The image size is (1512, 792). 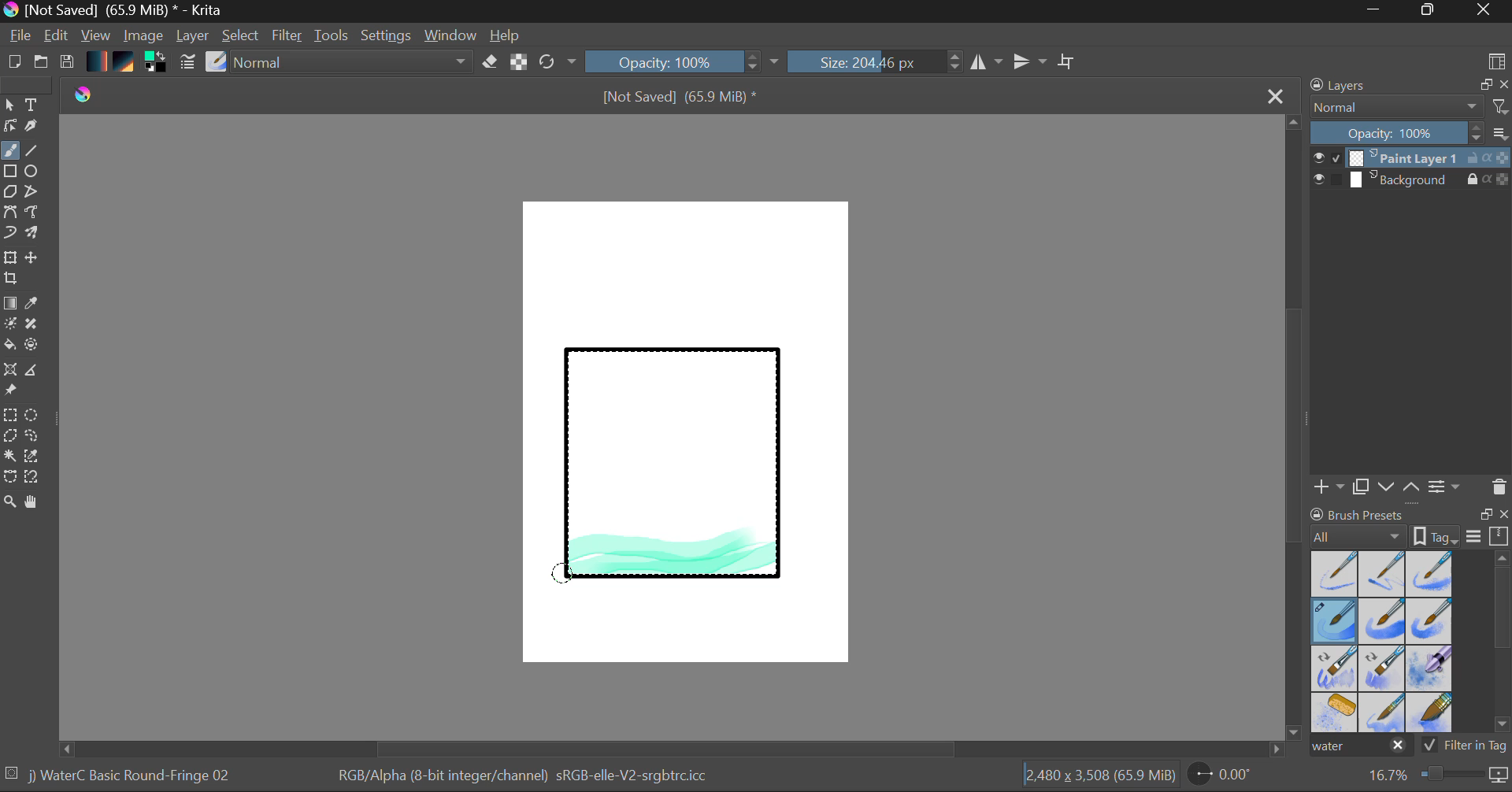 What do you see at coordinates (9, 436) in the screenshot?
I see `Polygon Selection Tool` at bounding box center [9, 436].